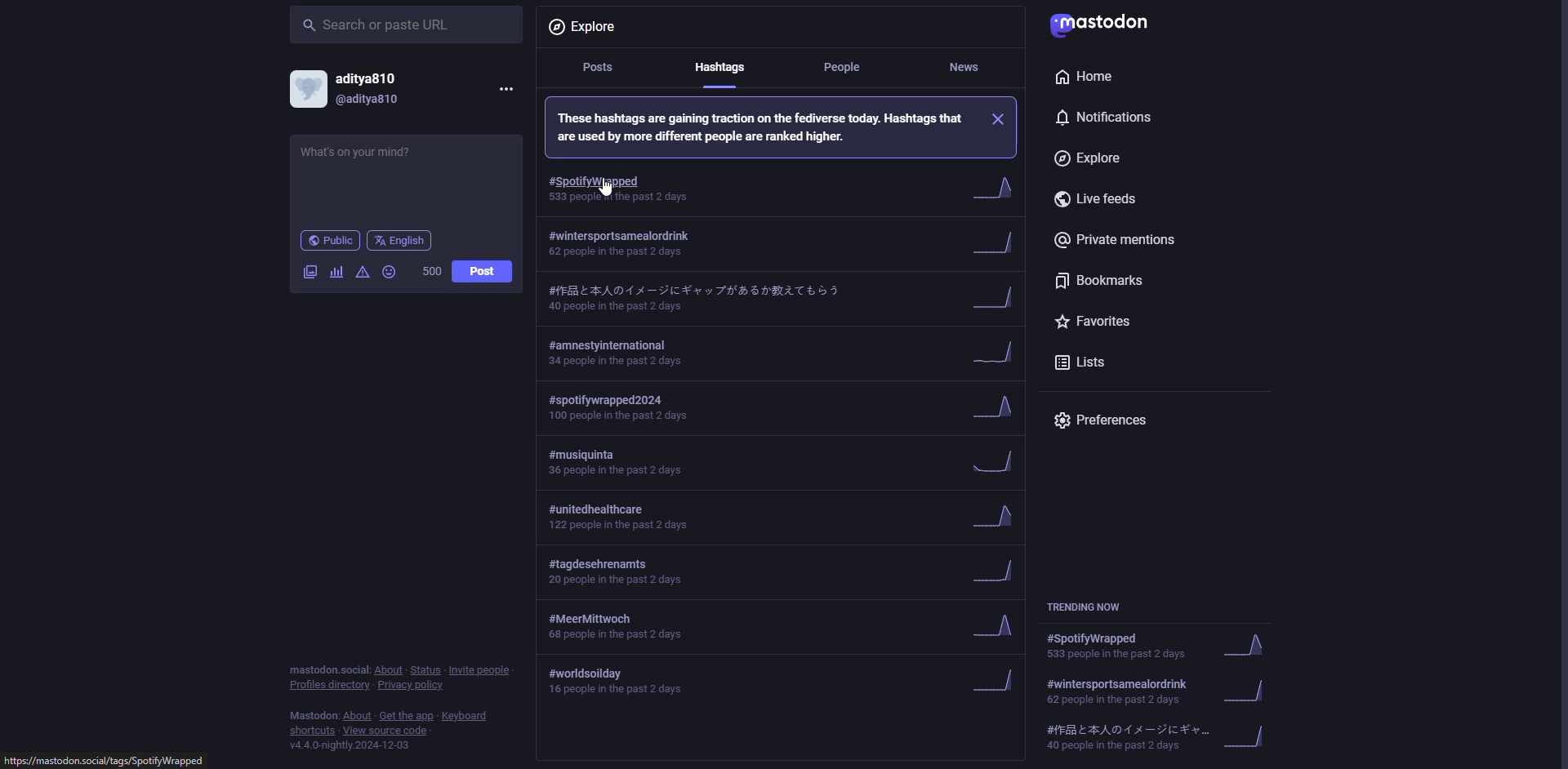 This screenshot has height=769, width=1568. Describe the element at coordinates (1086, 362) in the screenshot. I see `lists` at that location.